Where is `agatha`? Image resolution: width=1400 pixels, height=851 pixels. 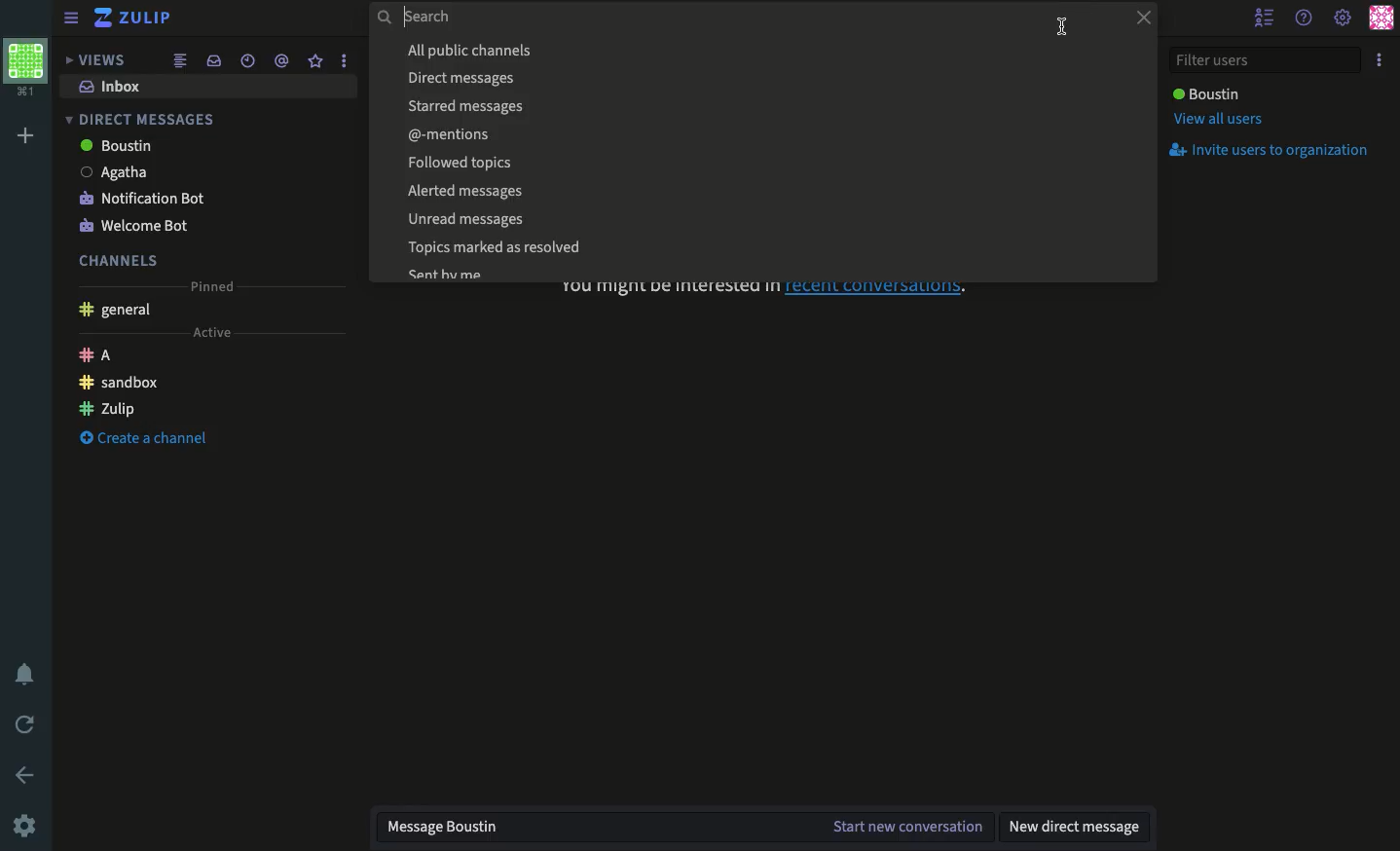
agatha is located at coordinates (122, 174).